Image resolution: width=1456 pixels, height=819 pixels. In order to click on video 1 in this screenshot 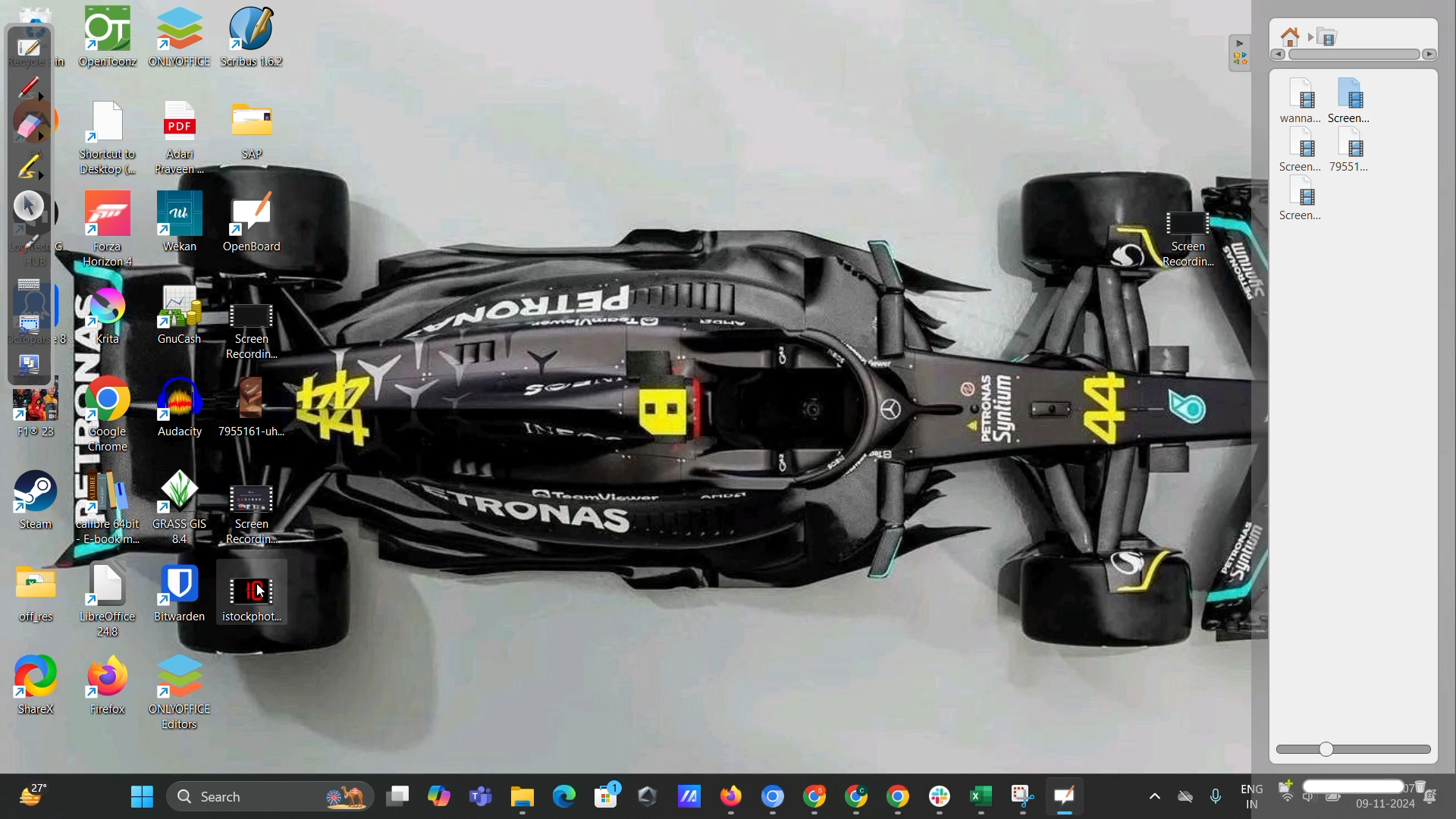, I will do `click(1299, 100)`.